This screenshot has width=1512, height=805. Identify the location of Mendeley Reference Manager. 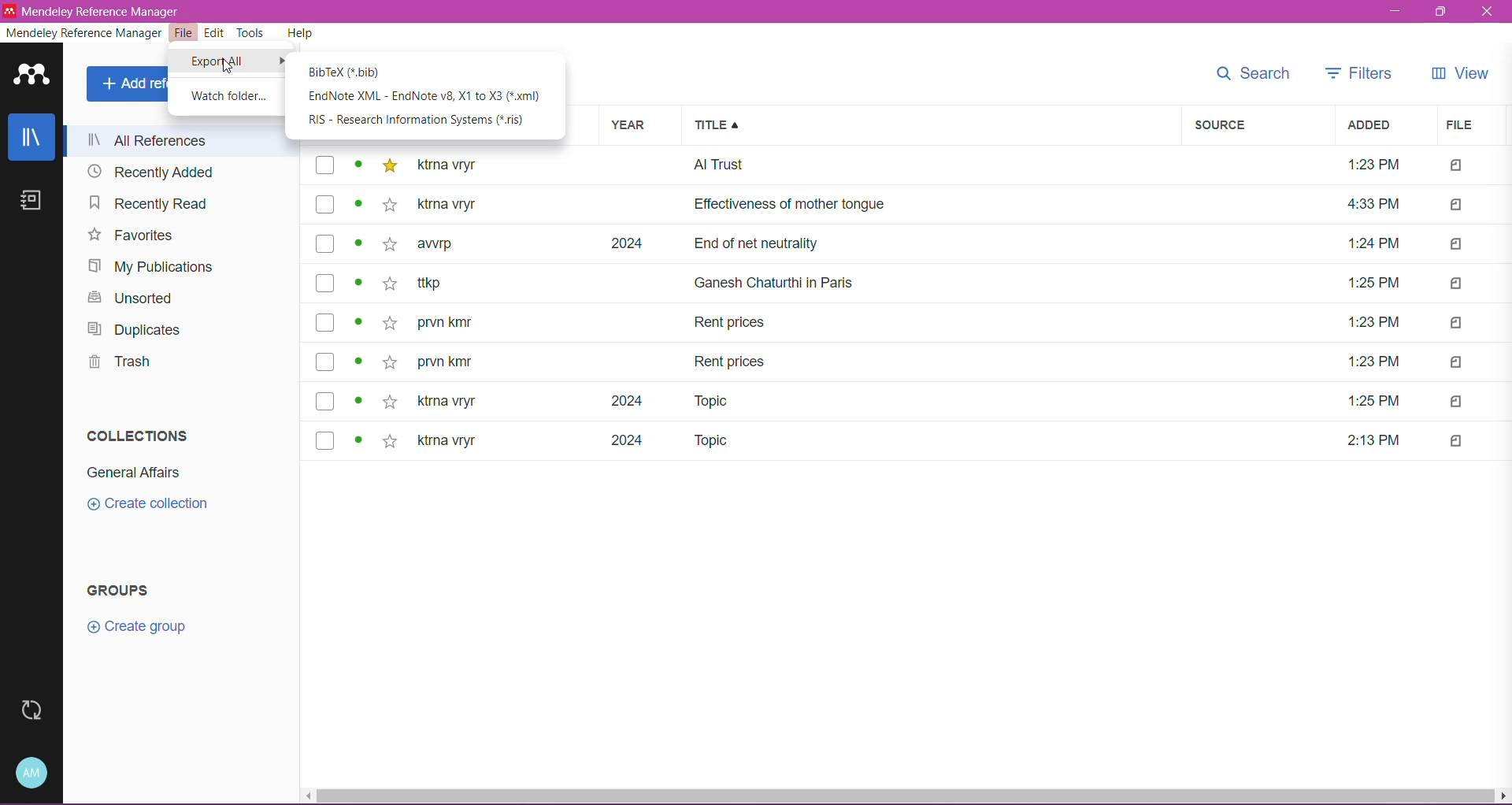
(90, 35).